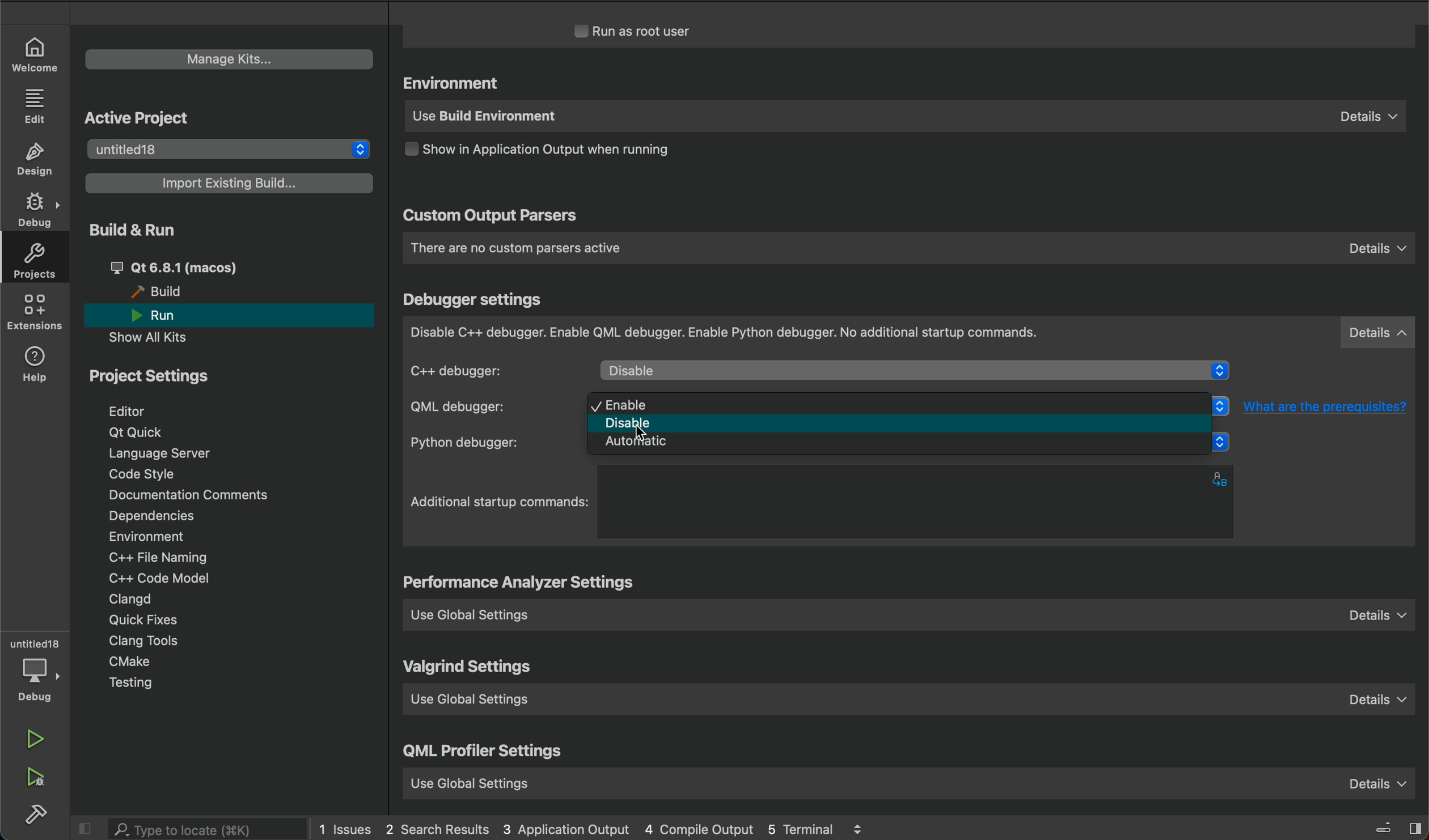 This screenshot has height=840, width=1429. I want to click on alphabets, so click(1223, 478).